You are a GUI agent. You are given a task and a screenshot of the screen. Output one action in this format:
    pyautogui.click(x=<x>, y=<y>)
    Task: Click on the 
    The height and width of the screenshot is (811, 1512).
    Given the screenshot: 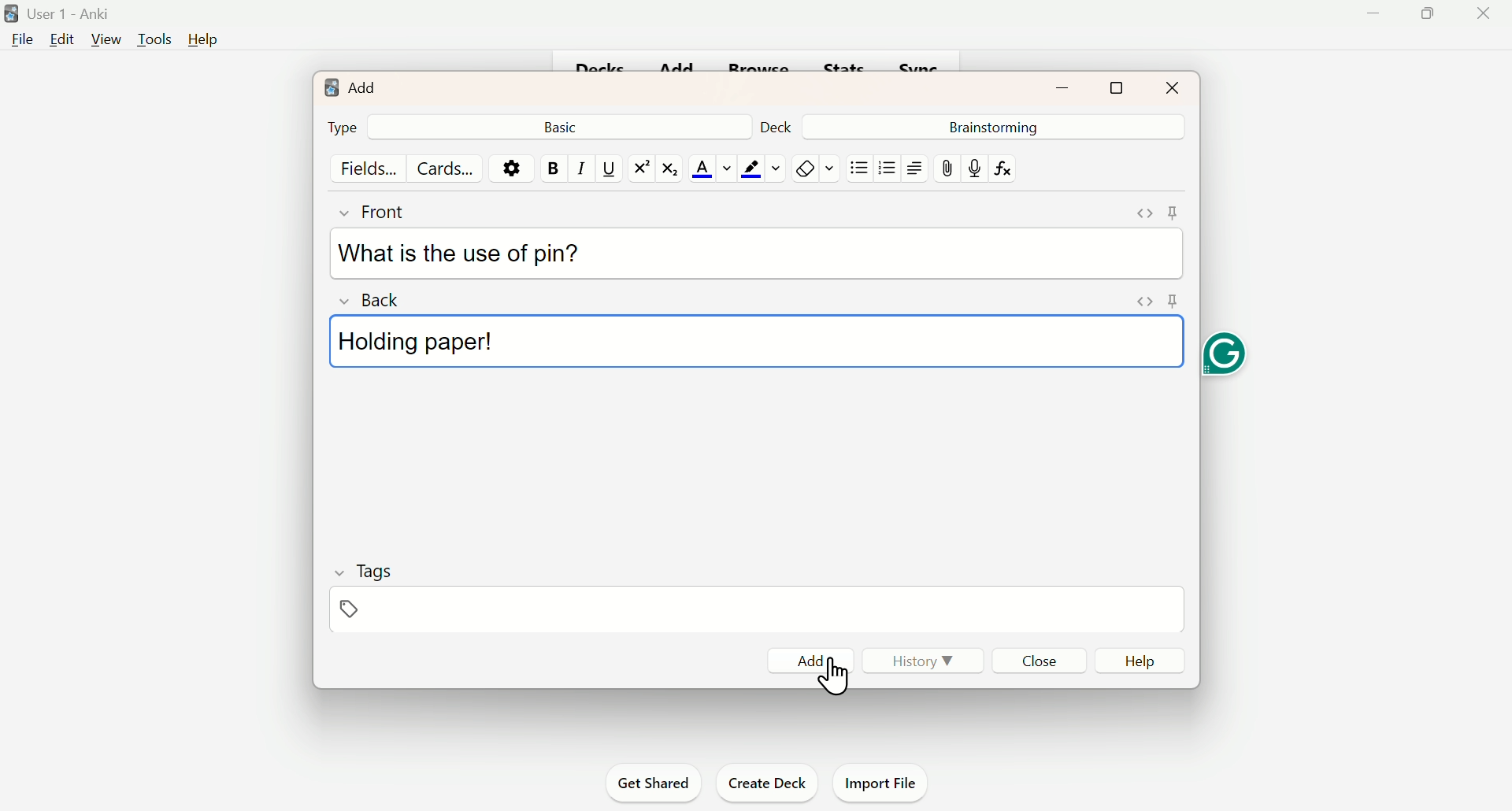 What is the action you would take?
    pyautogui.click(x=563, y=126)
    